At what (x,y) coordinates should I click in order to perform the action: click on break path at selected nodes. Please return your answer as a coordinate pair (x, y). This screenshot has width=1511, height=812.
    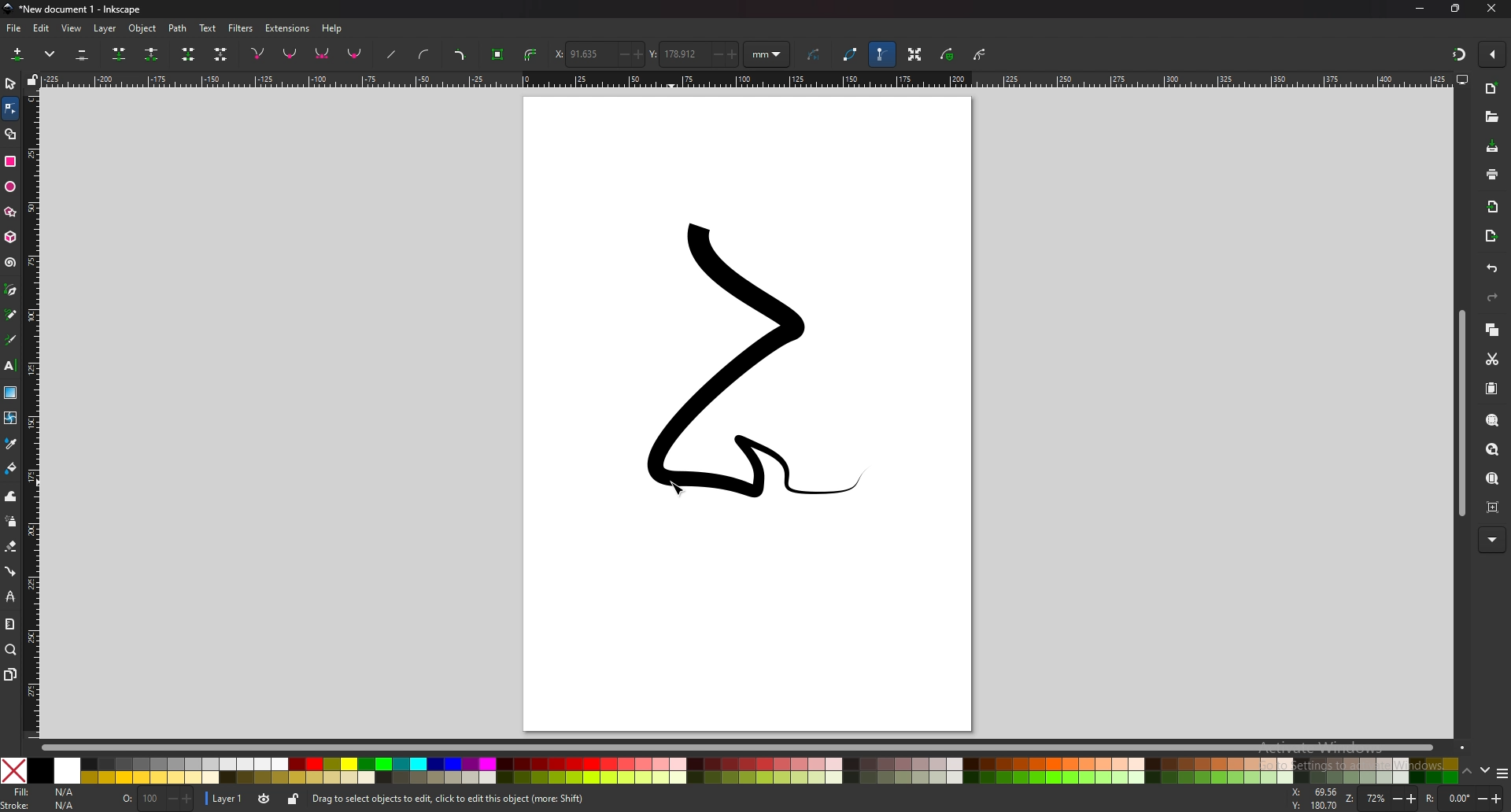
    Looking at the image, I should click on (152, 54).